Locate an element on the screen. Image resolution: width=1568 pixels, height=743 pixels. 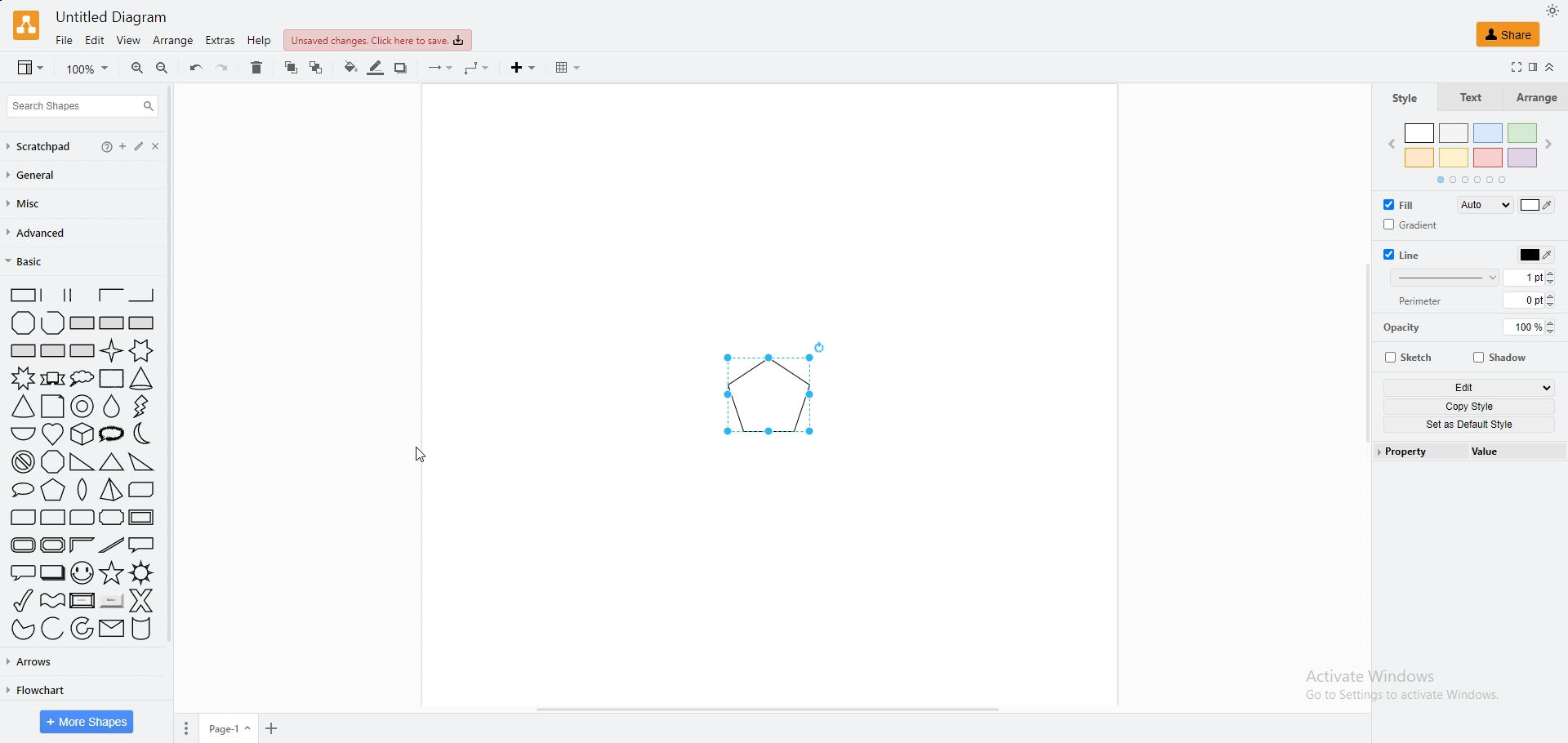
star is located at coordinates (111, 573).